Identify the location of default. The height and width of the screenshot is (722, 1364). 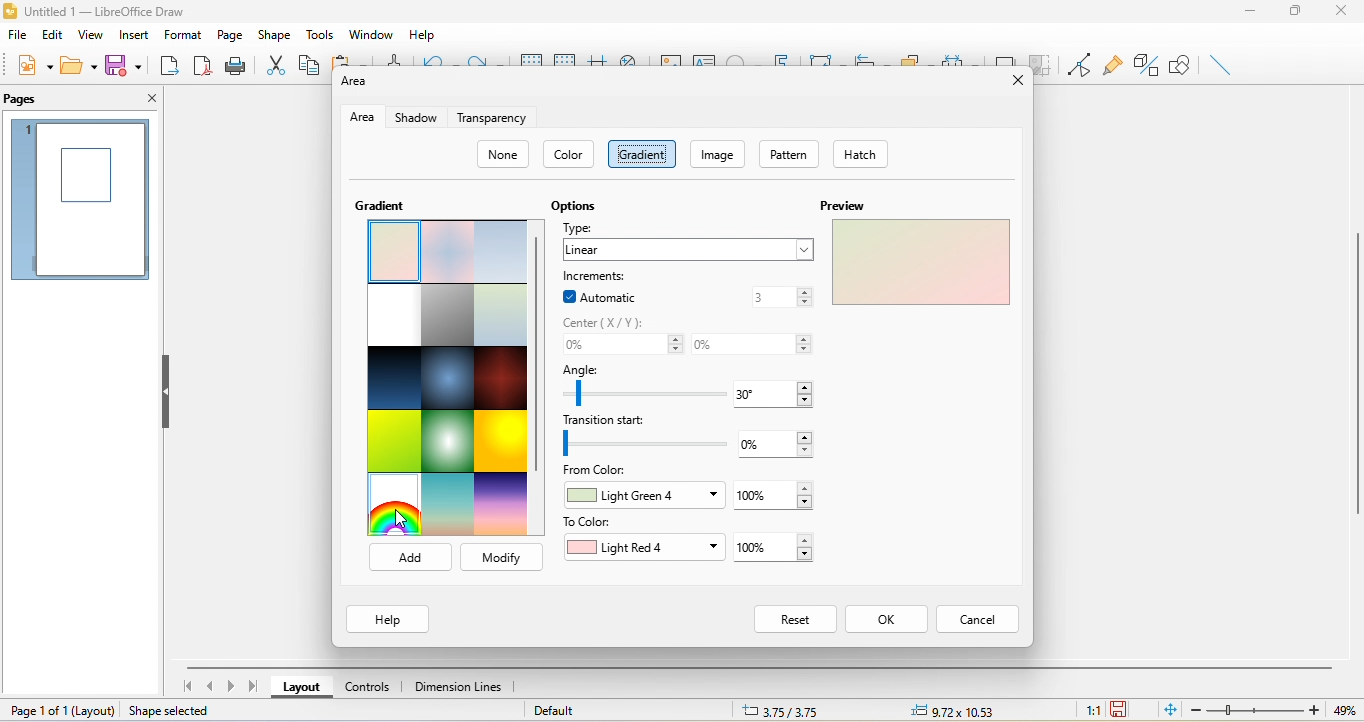
(573, 710).